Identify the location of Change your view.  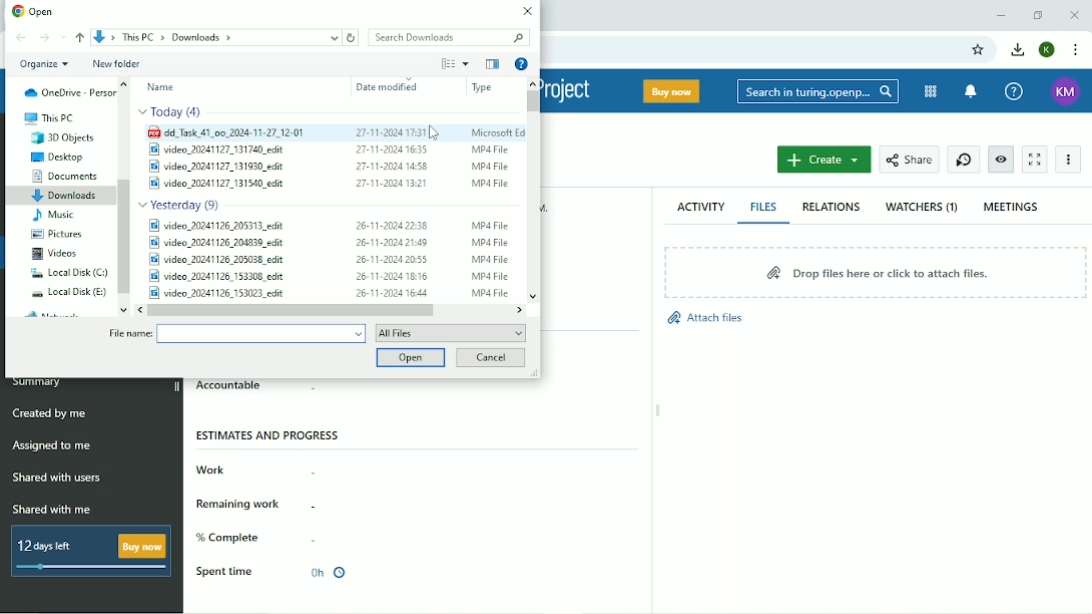
(447, 63).